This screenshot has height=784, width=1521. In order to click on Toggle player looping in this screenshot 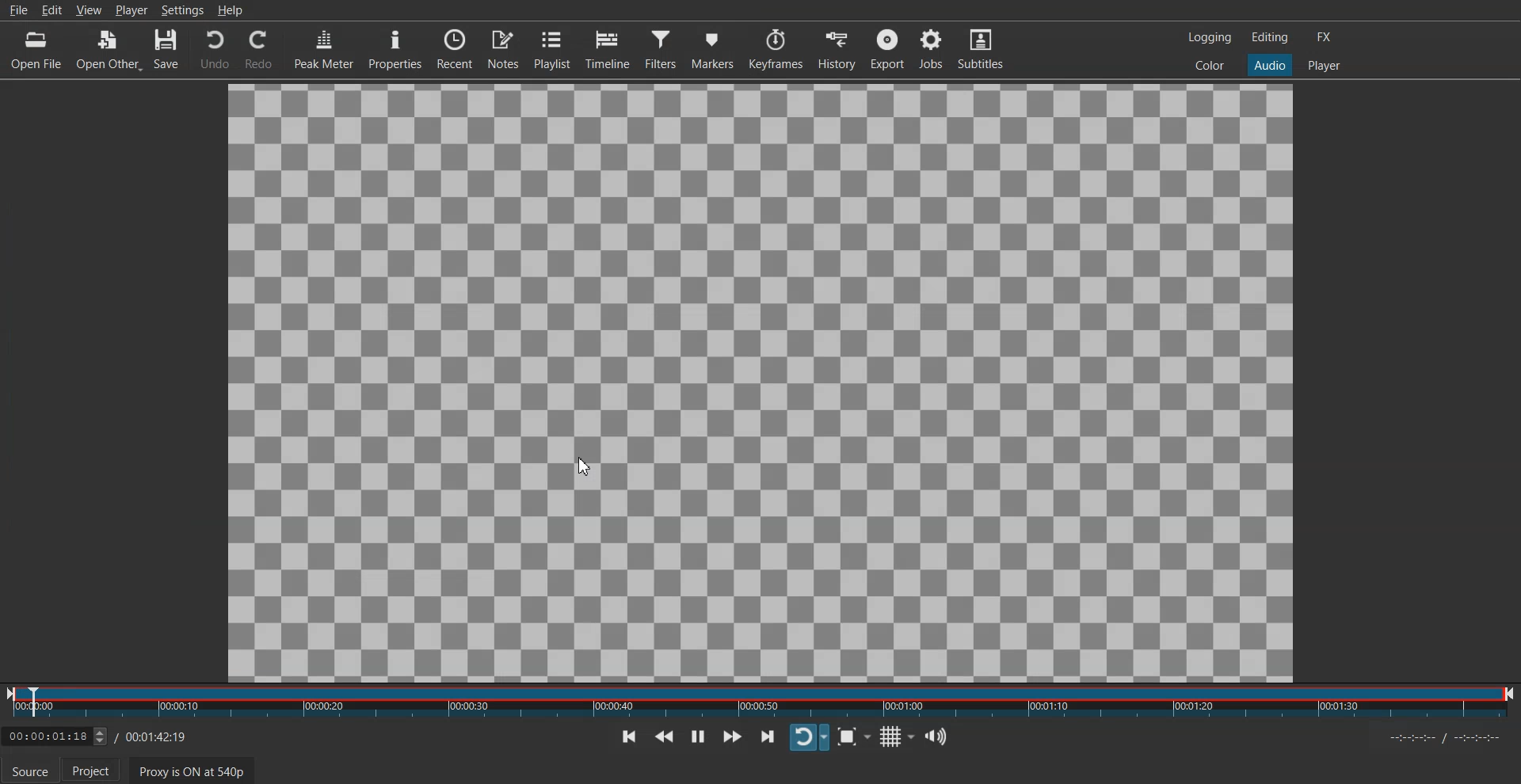, I will do `click(809, 737)`.